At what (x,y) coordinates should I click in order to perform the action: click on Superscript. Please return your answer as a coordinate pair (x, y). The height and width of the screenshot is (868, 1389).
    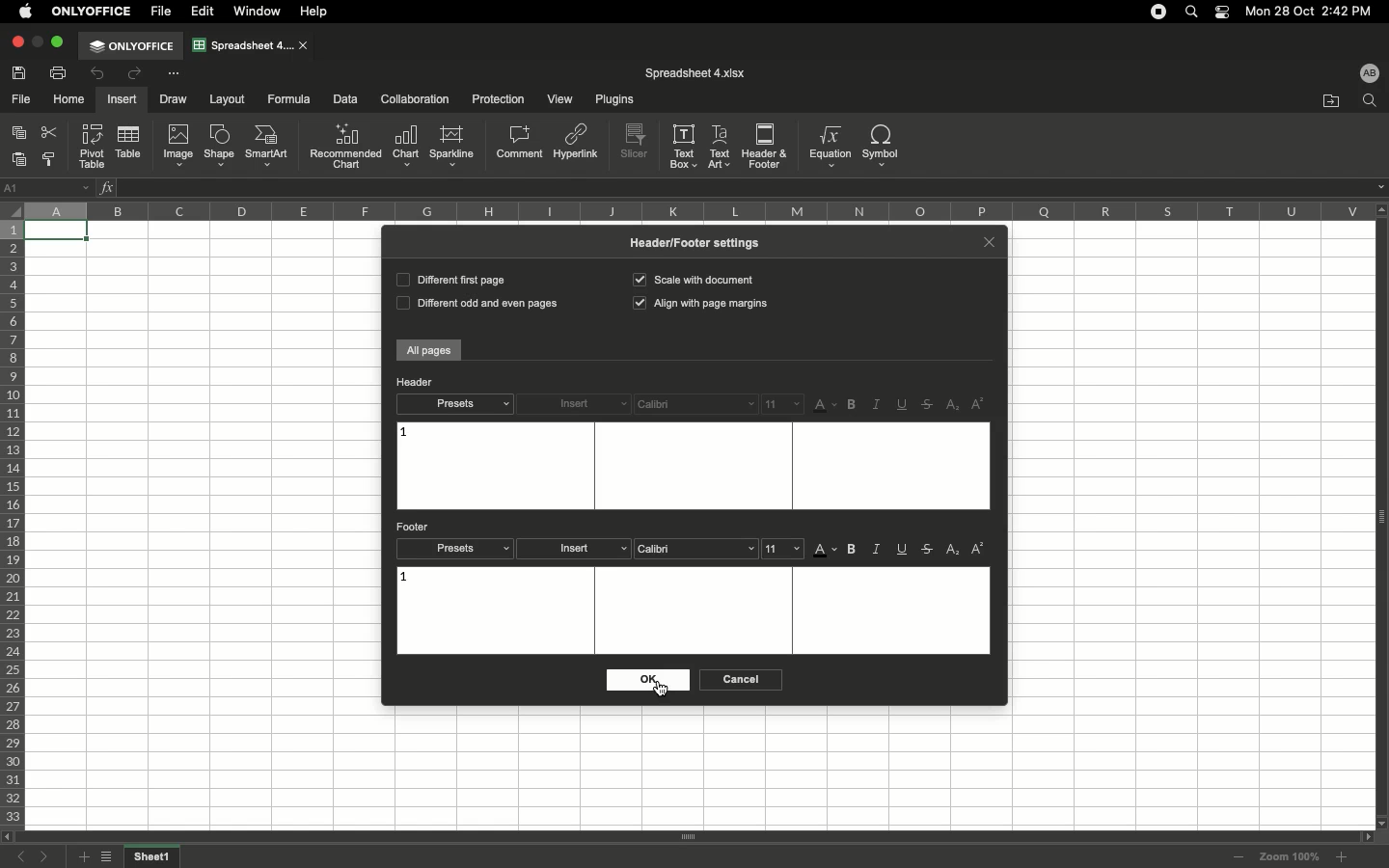
    Looking at the image, I should click on (977, 549).